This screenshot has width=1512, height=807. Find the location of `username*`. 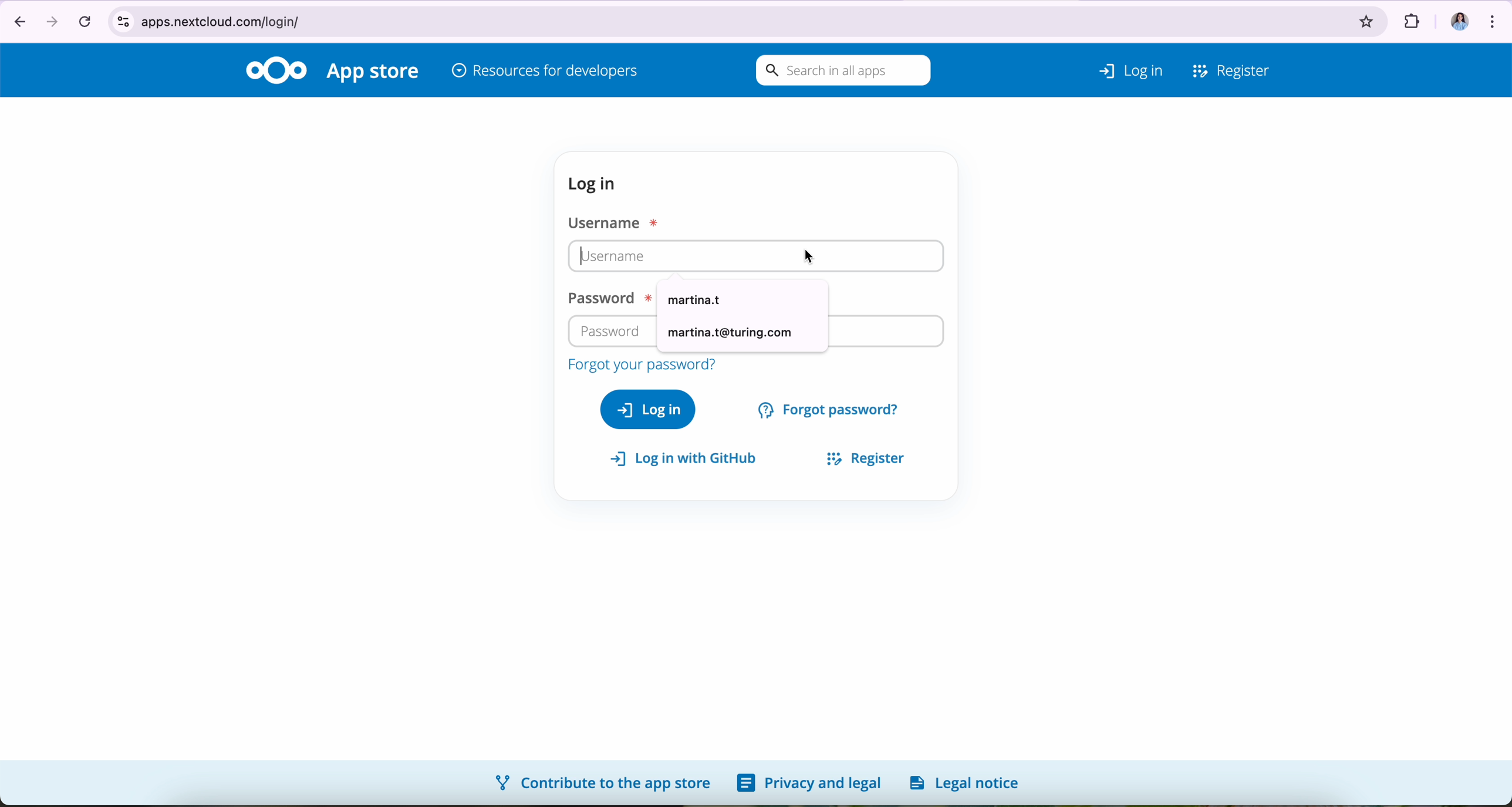

username* is located at coordinates (616, 221).